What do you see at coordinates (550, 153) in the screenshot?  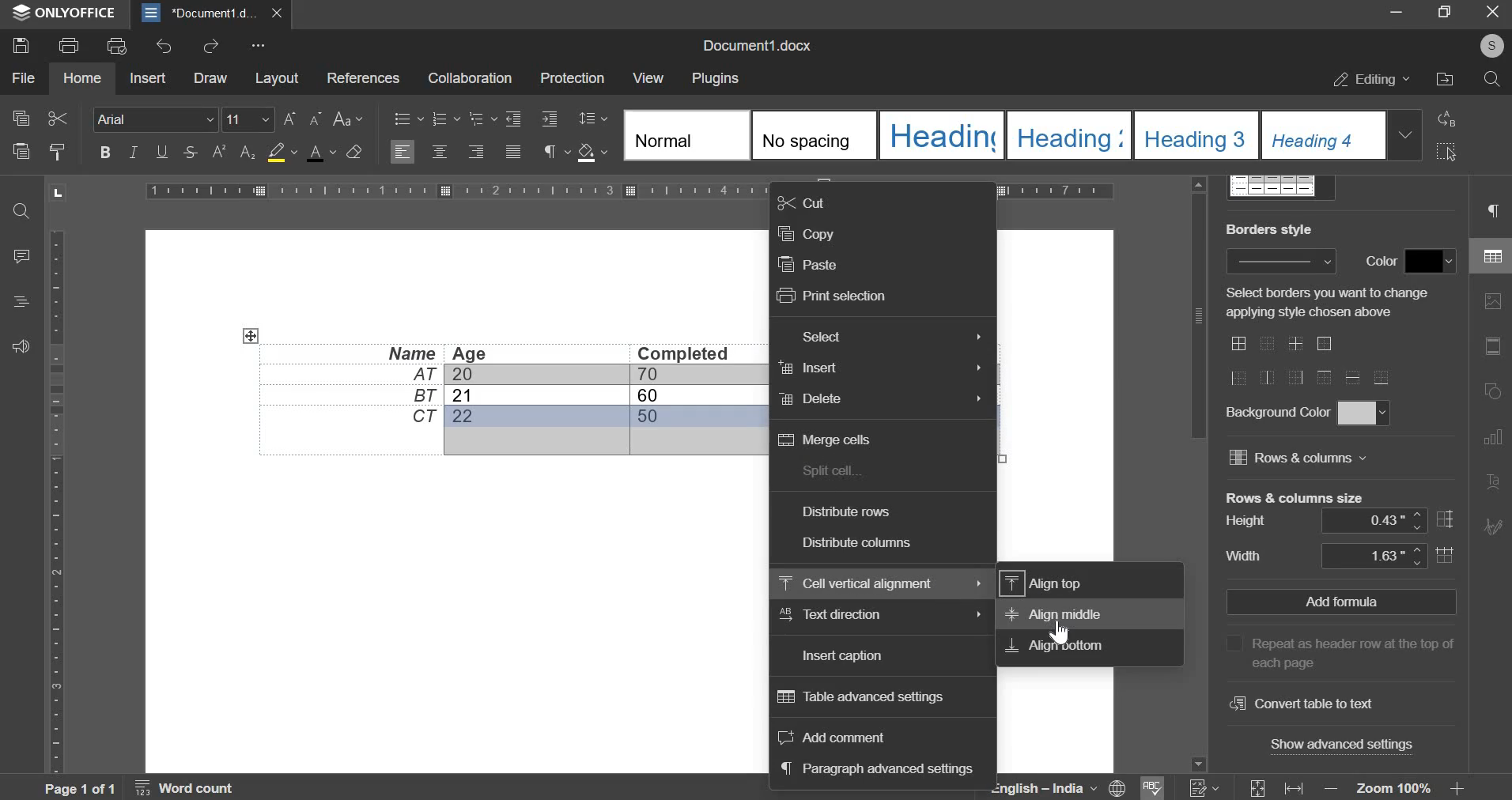 I see `paragraph` at bounding box center [550, 153].